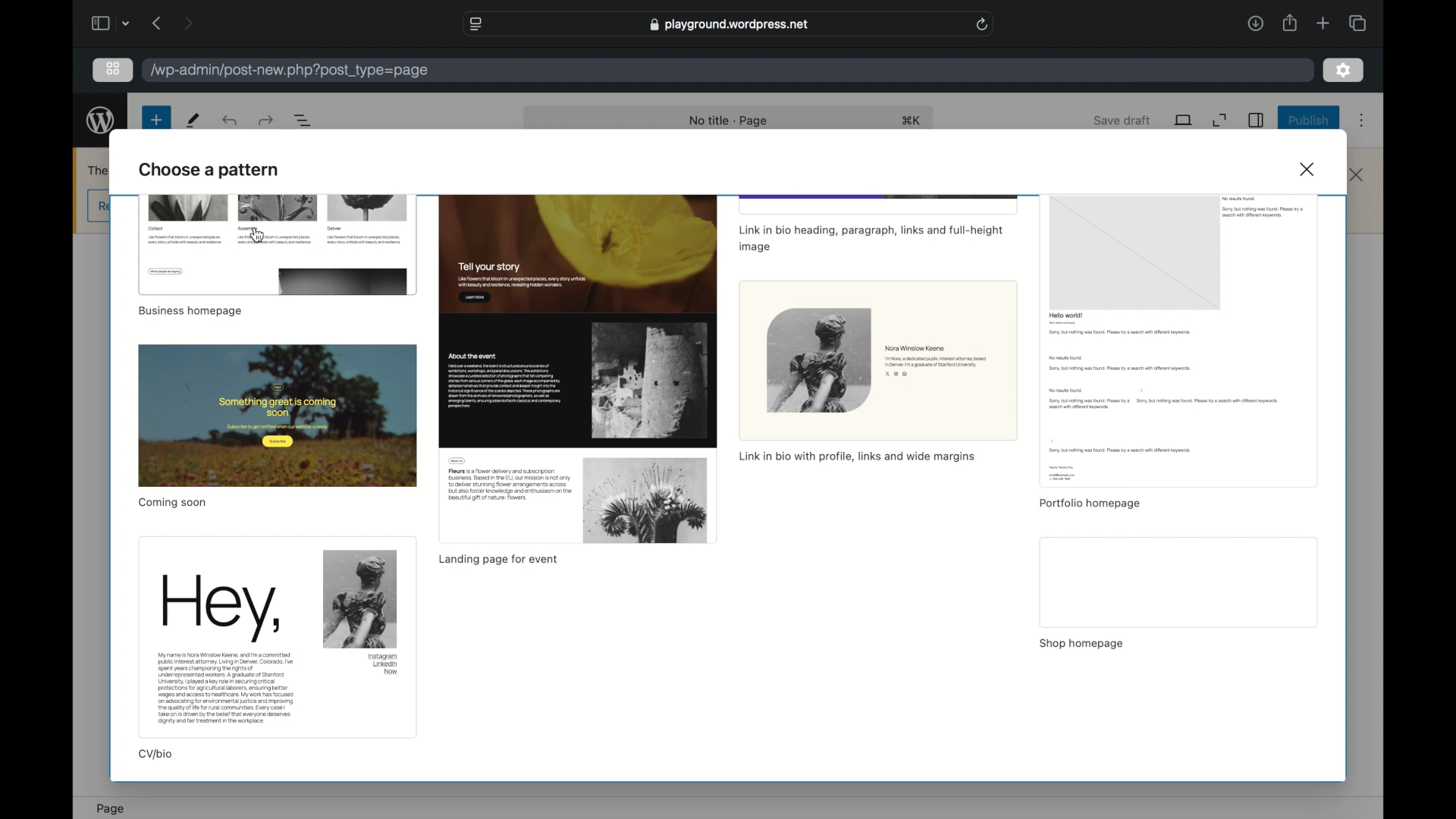 This screenshot has height=819, width=1456. Describe the element at coordinates (1309, 169) in the screenshot. I see `close` at that location.